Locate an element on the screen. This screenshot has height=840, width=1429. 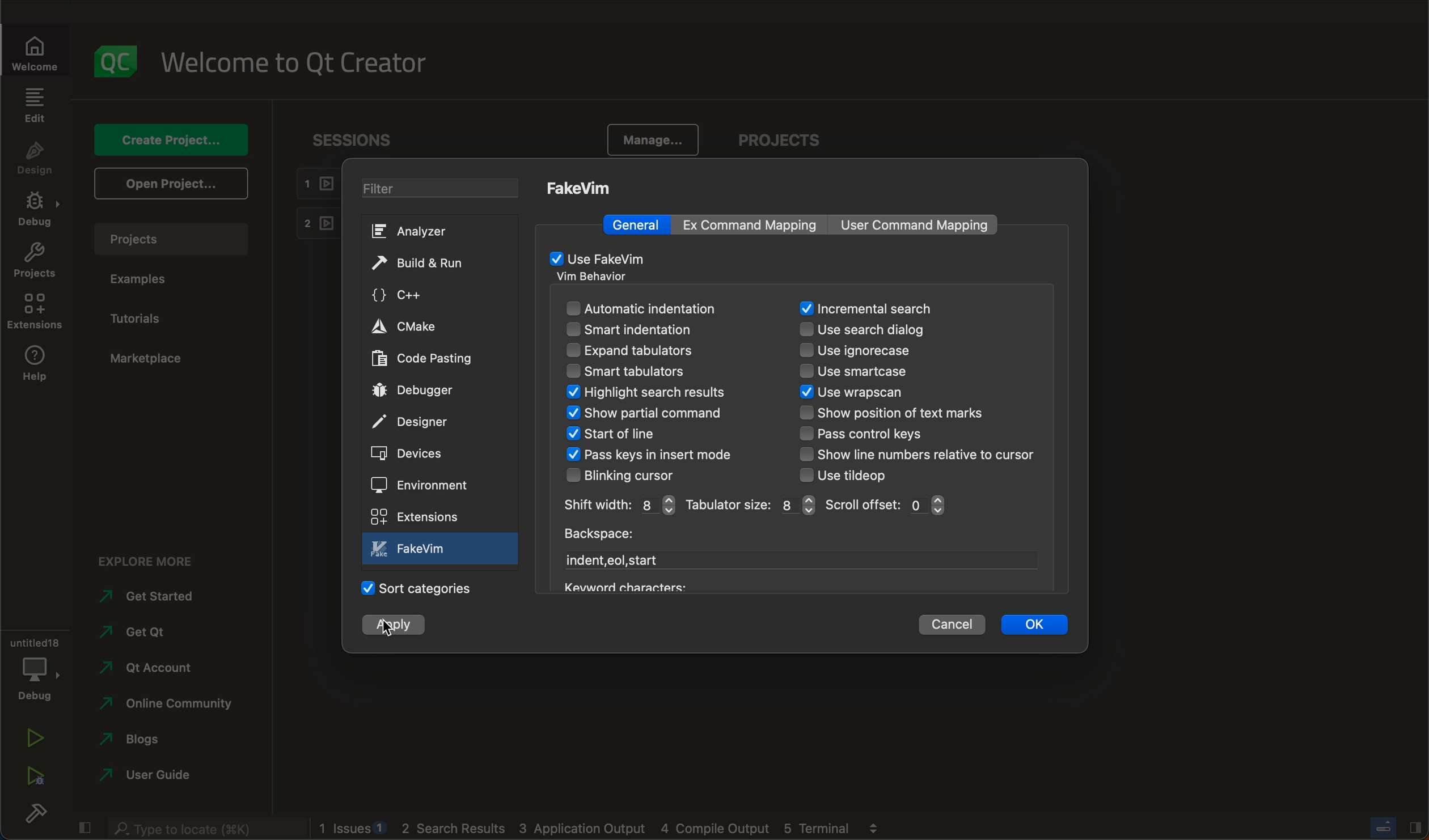
cursor is located at coordinates (387, 627).